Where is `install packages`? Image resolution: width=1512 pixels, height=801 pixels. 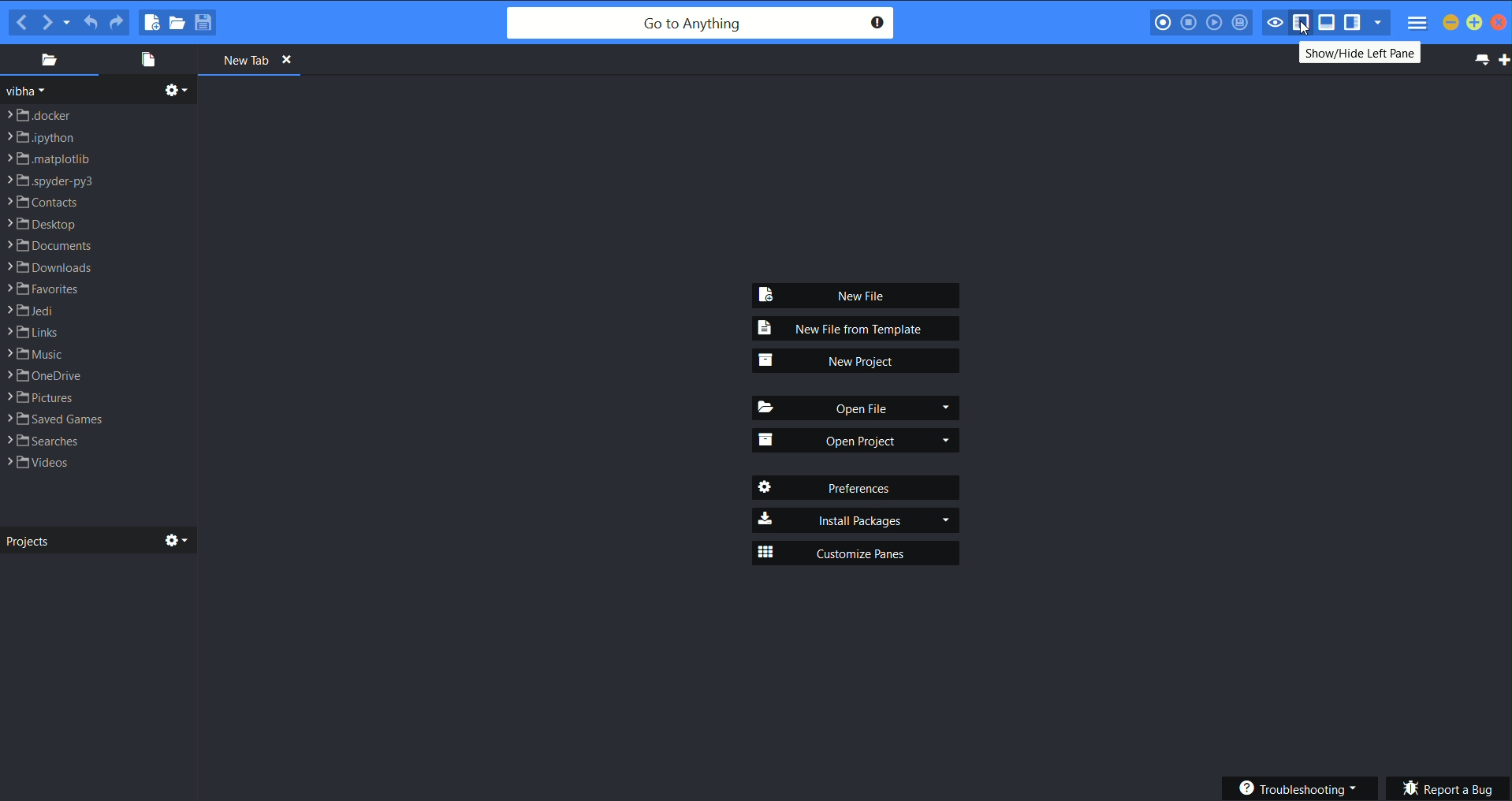
install packages is located at coordinates (857, 520).